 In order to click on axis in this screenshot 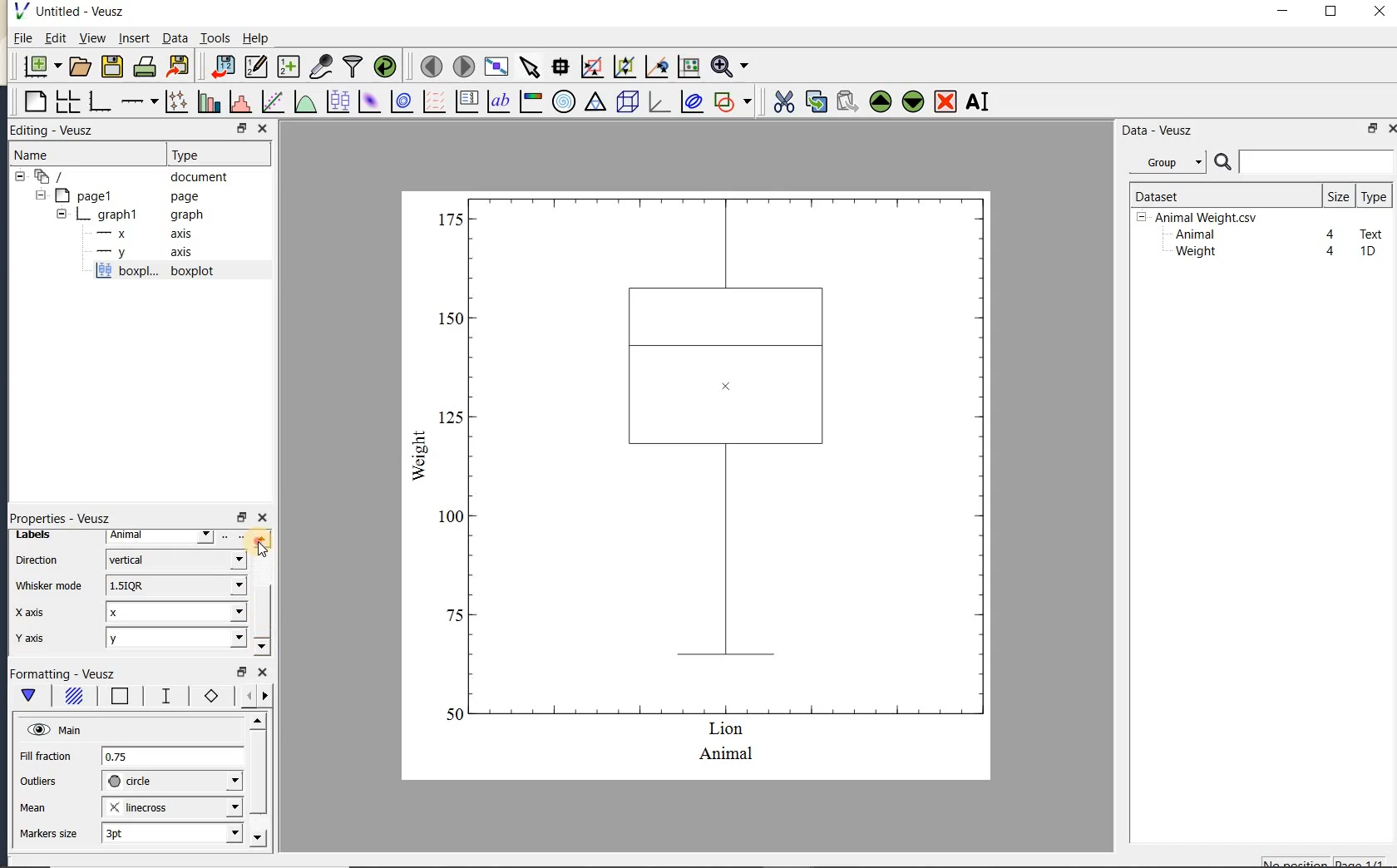, I will do `click(140, 234)`.